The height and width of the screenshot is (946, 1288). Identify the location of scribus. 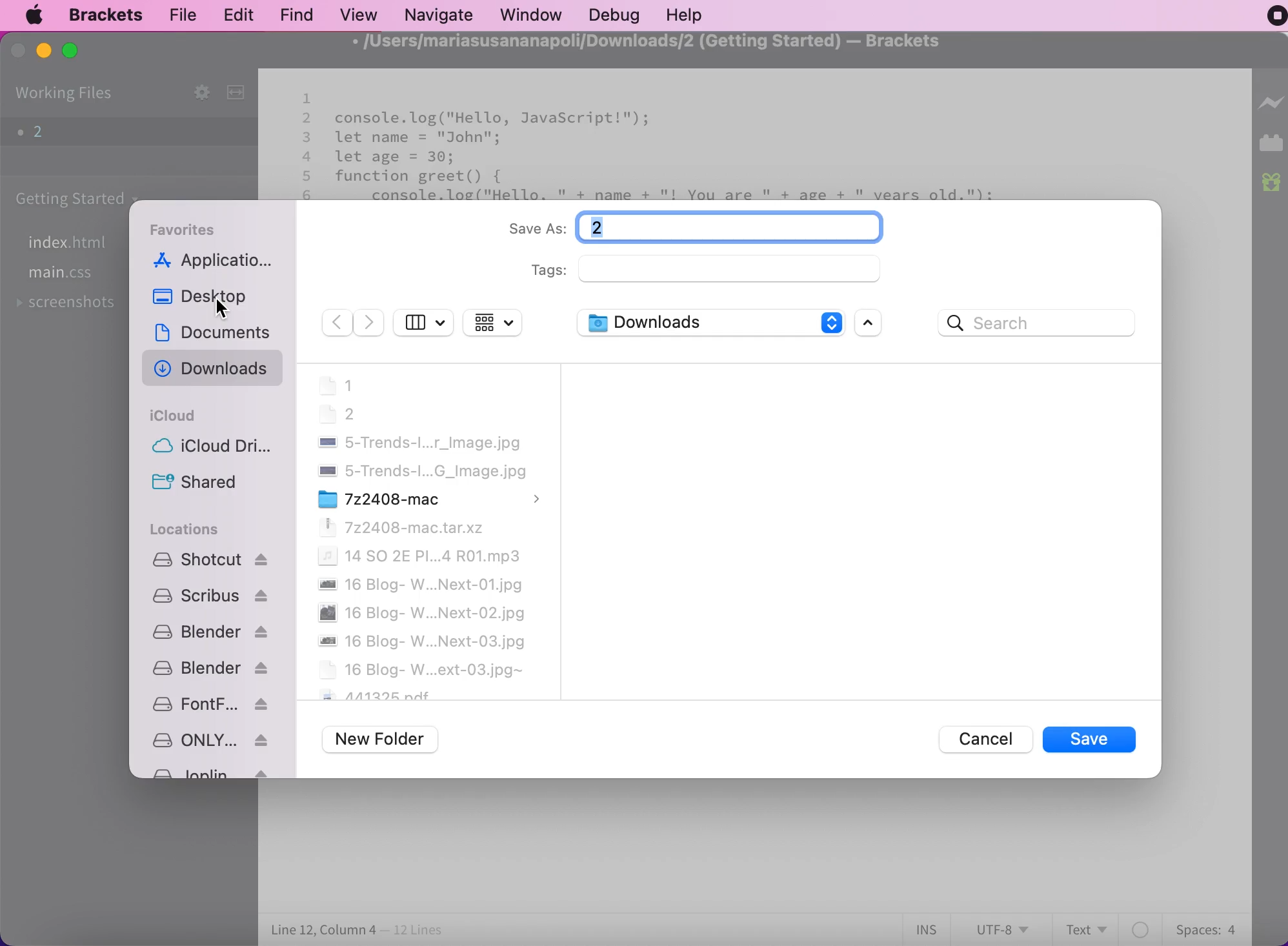
(210, 594).